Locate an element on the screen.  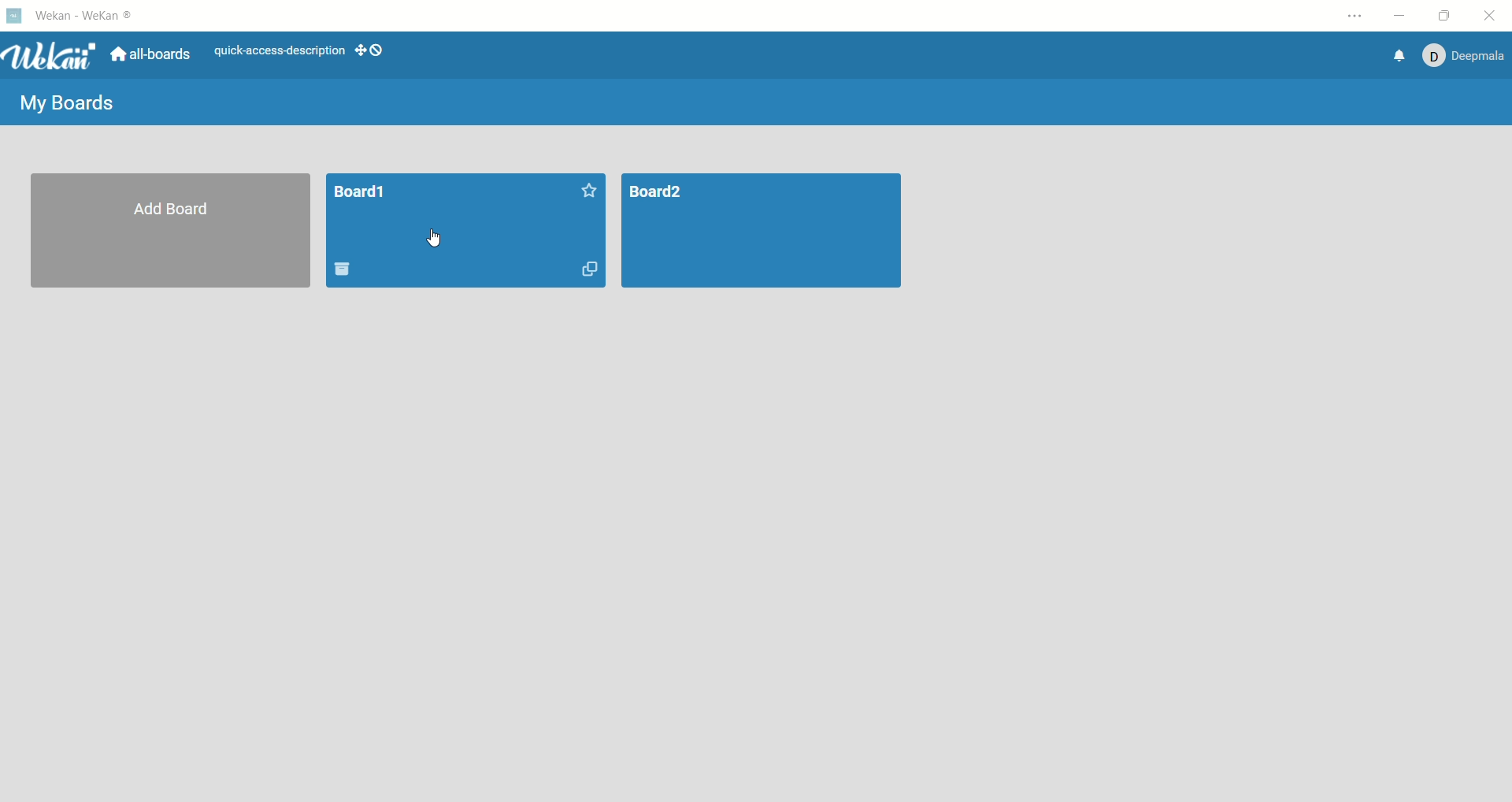
show-desktop-drag-handles is located at coordinates (361, 52).